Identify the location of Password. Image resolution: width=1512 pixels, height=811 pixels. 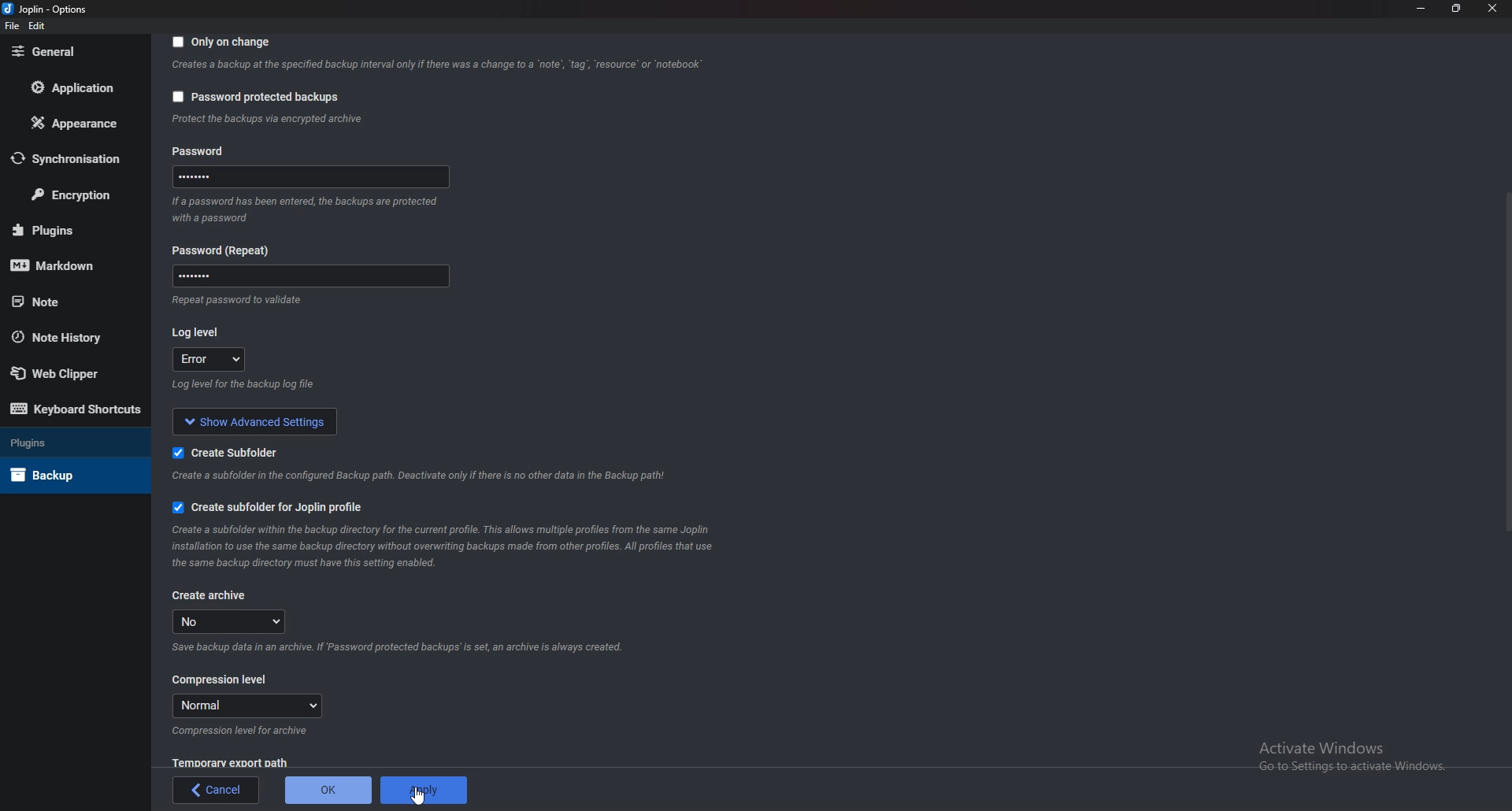
(308, 180).